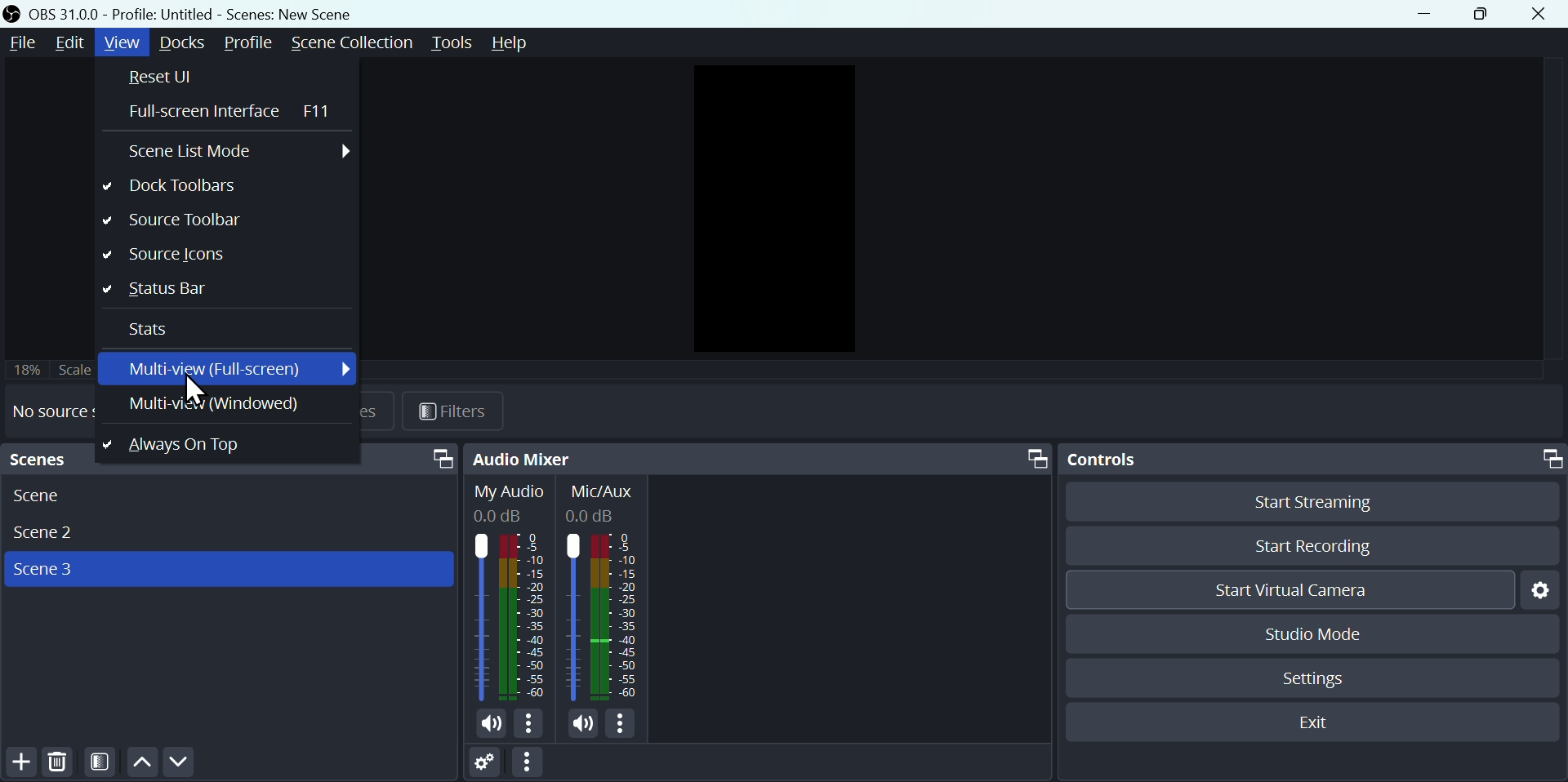 Image resolution: width=1568 pixels, height=782 pixels. I want to click on Filter, so click(101, 764).